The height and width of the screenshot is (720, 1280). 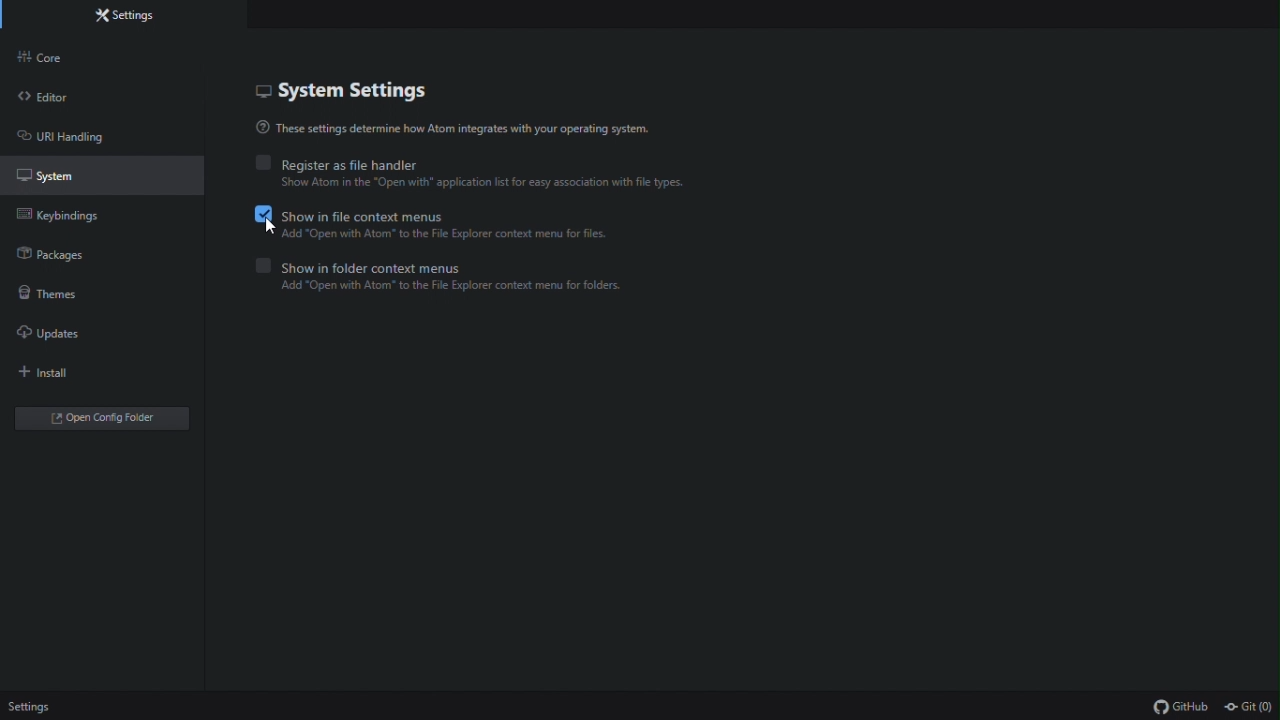 I want to click on Install, so click(x=63, y=376).